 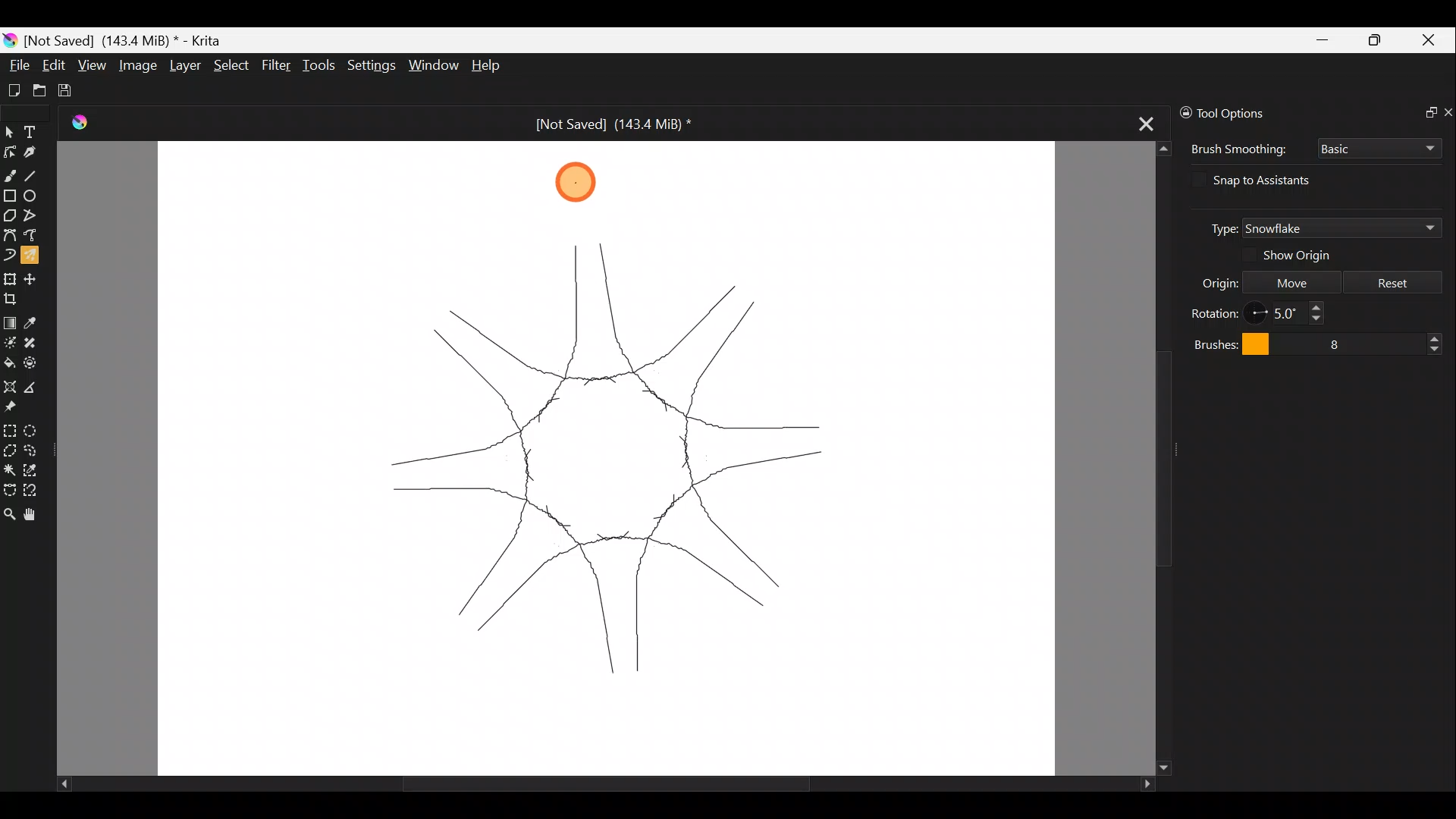 I want to click on Reference images tool, so click(x=21, y=406).